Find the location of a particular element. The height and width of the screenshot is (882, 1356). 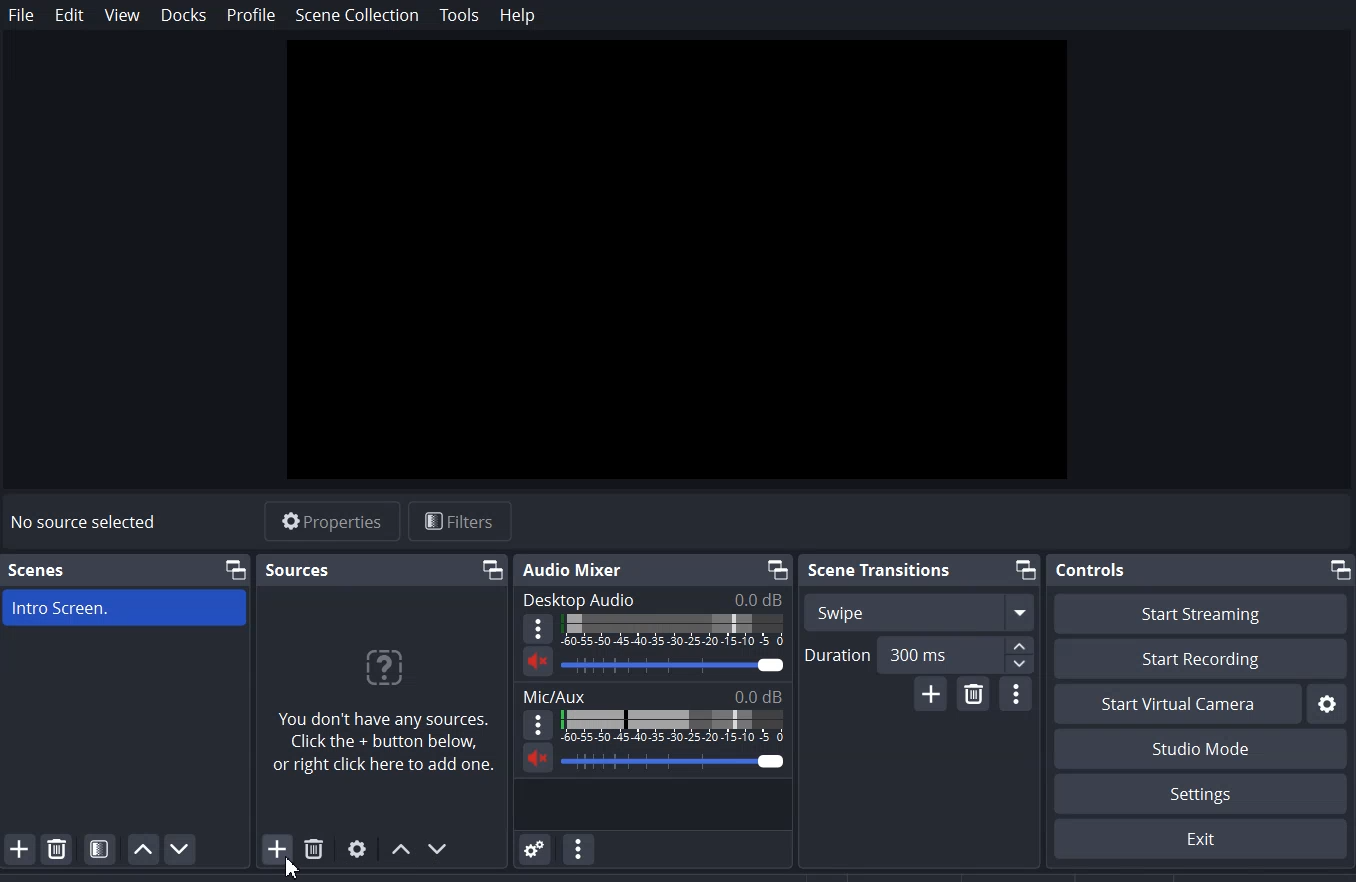

Remove Selected Scene is located at coordinates (57, 847).